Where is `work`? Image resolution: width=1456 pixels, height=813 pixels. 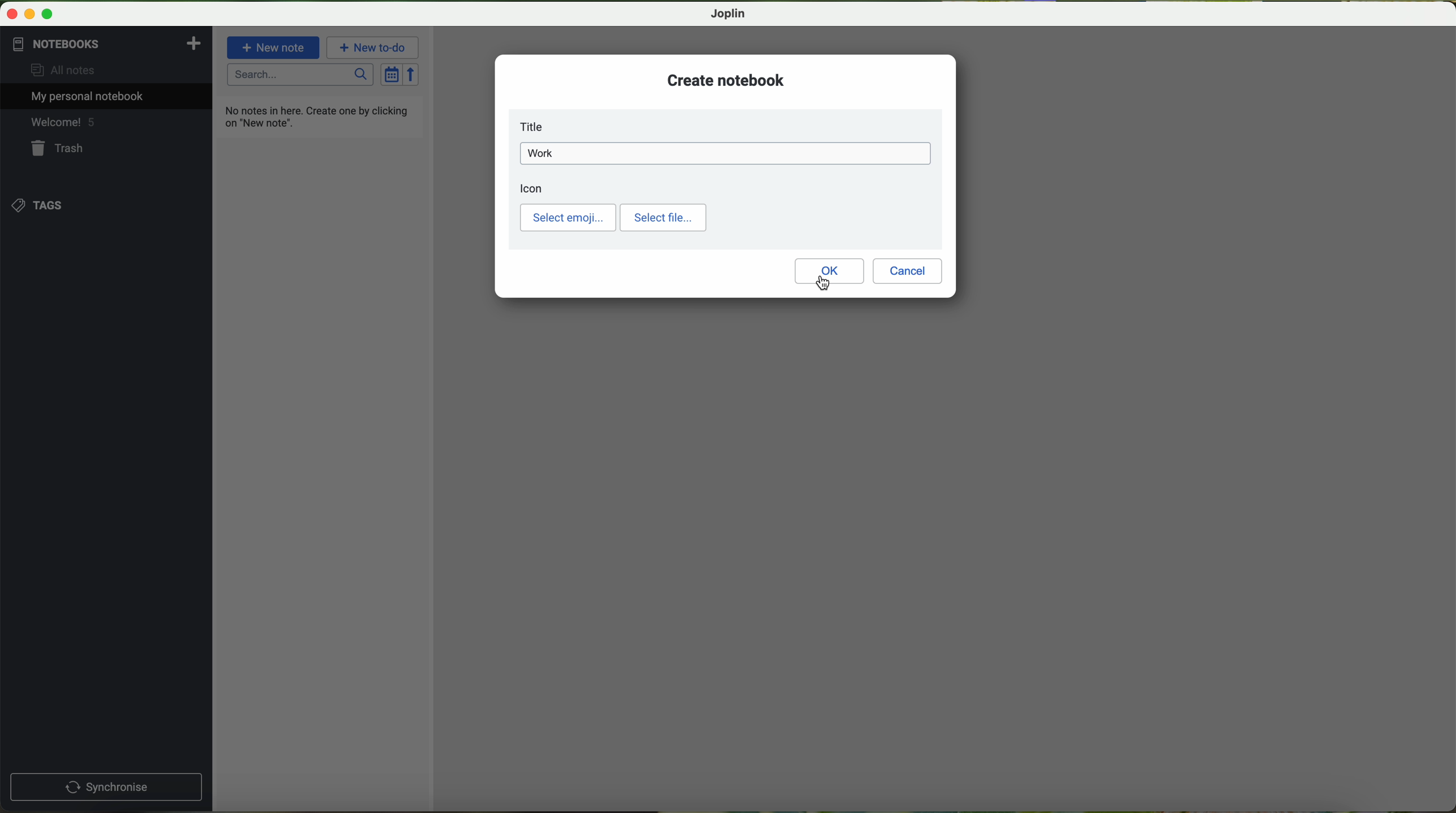
work is located at coordinates (725, 153).